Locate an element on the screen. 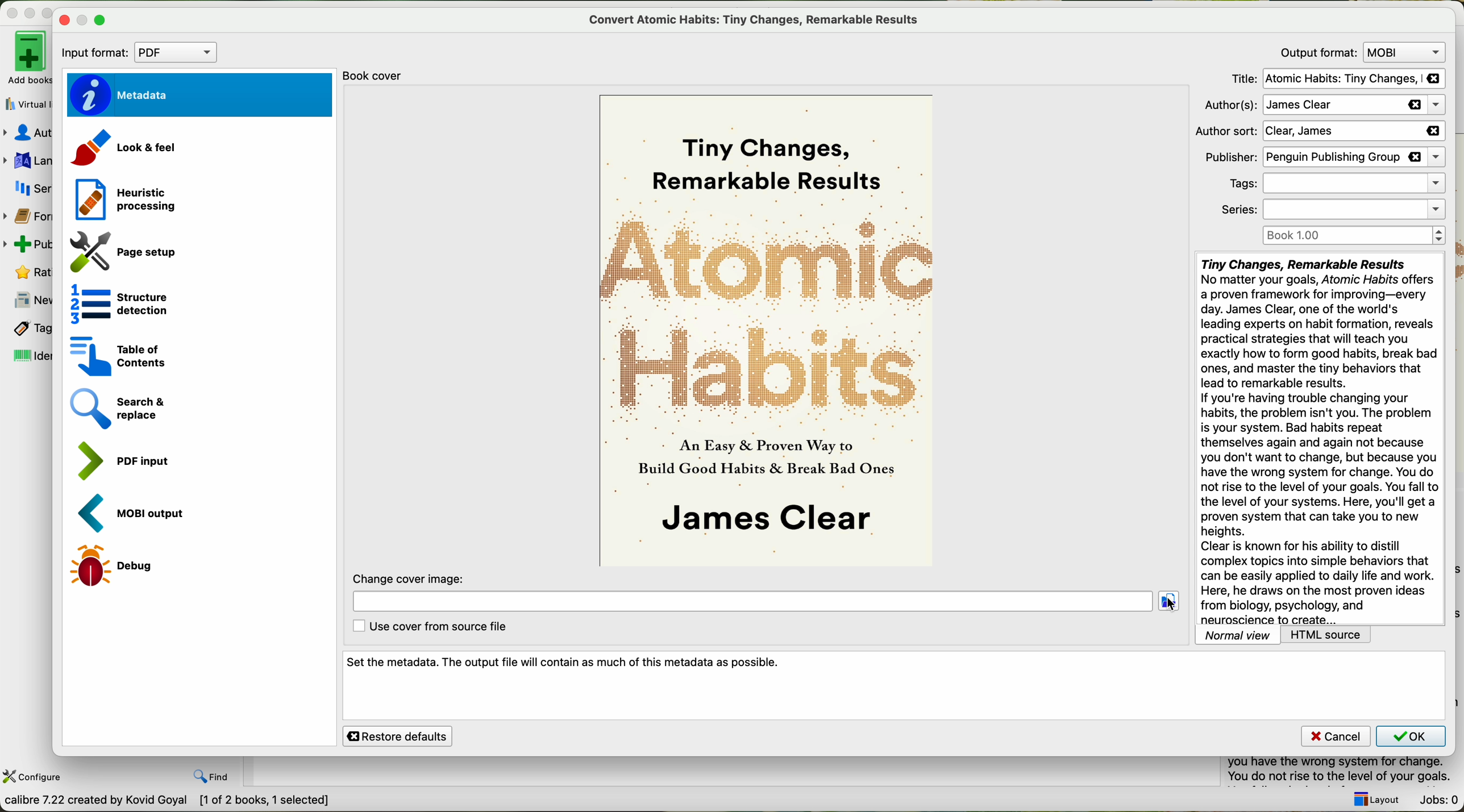 Image resolution: width=1464 pixels, height=812 pixels. tags is located at coordinates (29, 328).